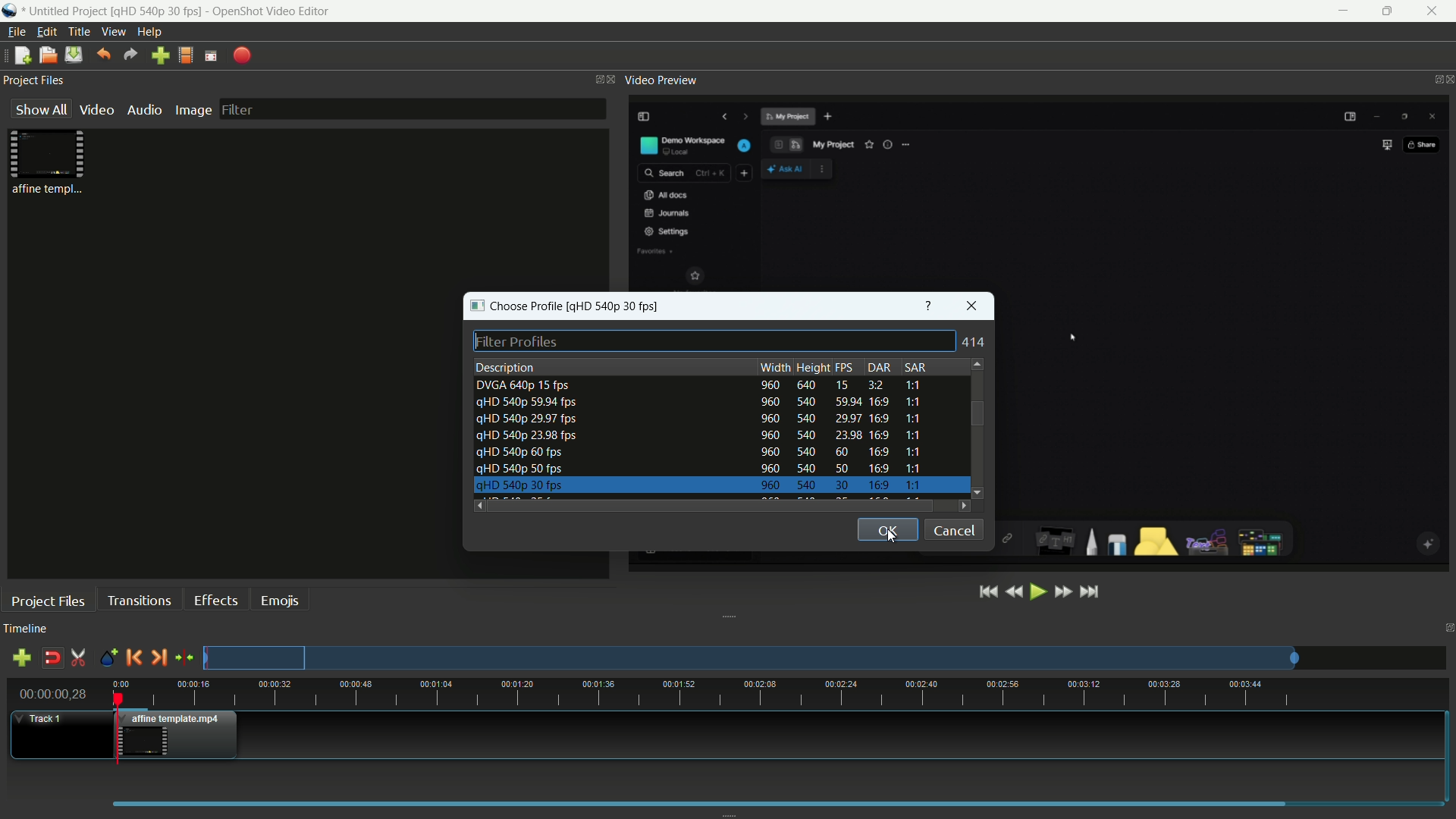 This screenshot has width=1456, height=819. What do you see at coordinates (186, 55) in the screenshot?
I see `profile` at bounding box center [186, 55].